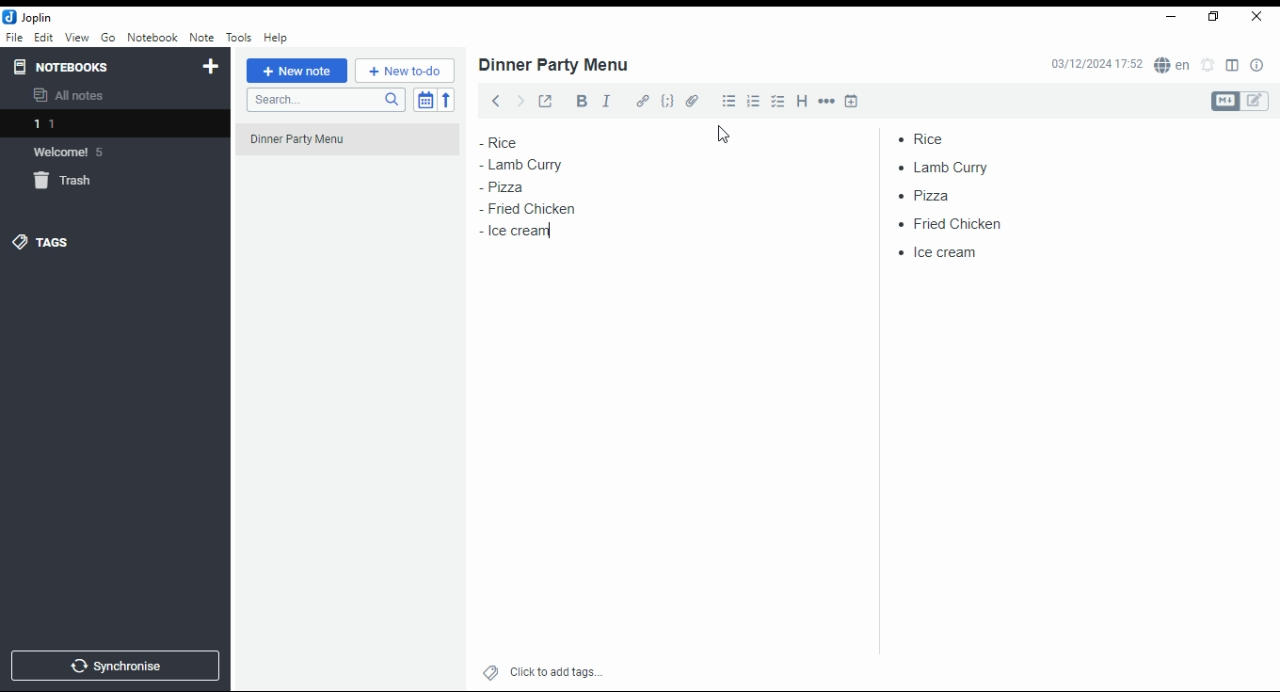 The width and height of the screenshot is (1280, 692). What do you see at coordinates (1257, 17) in the screenshot?
I see `close` at bounding box center [1257, 17].